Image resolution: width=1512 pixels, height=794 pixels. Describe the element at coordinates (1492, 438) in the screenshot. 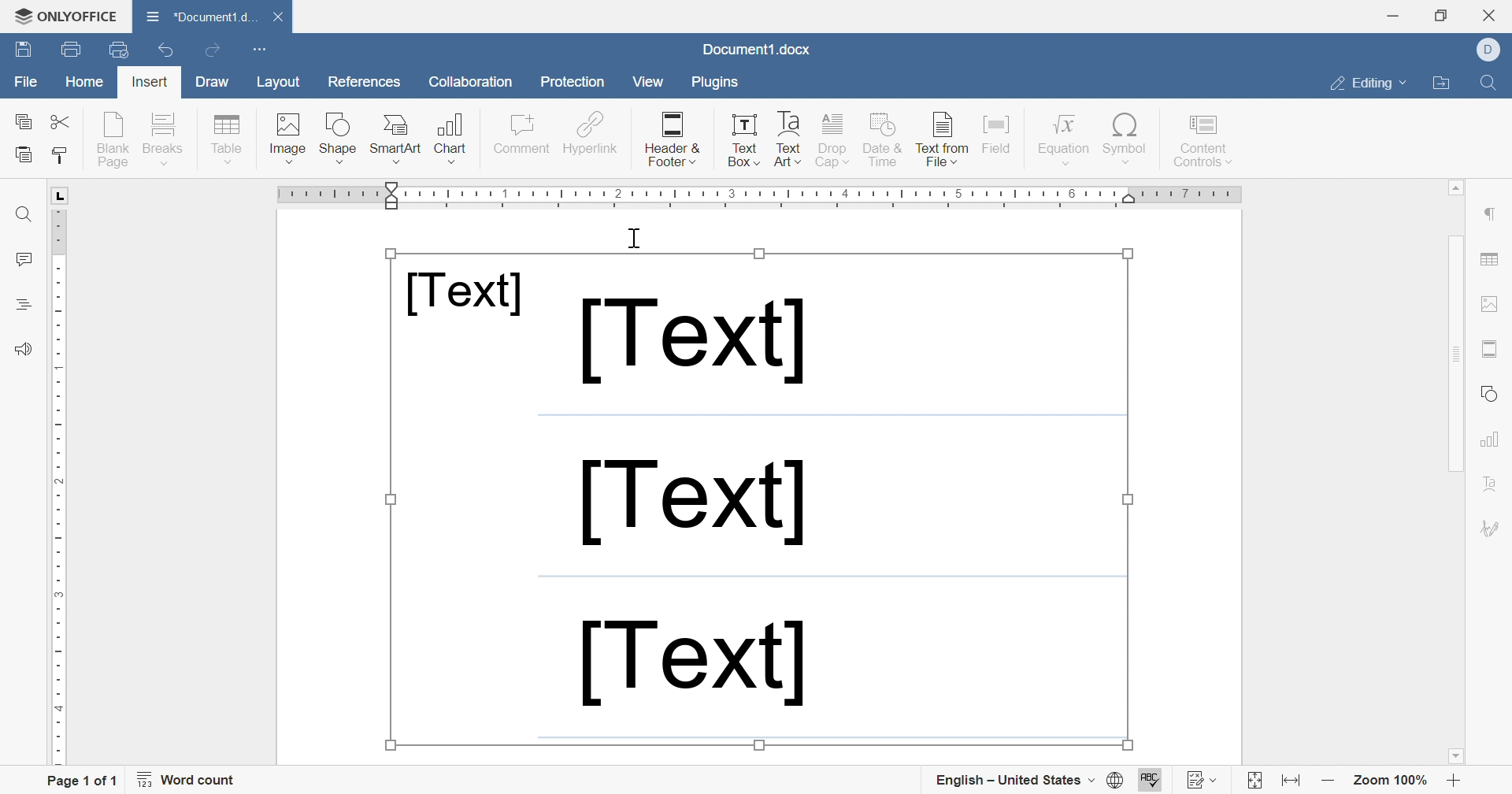

I see `Chart settings` at that location.